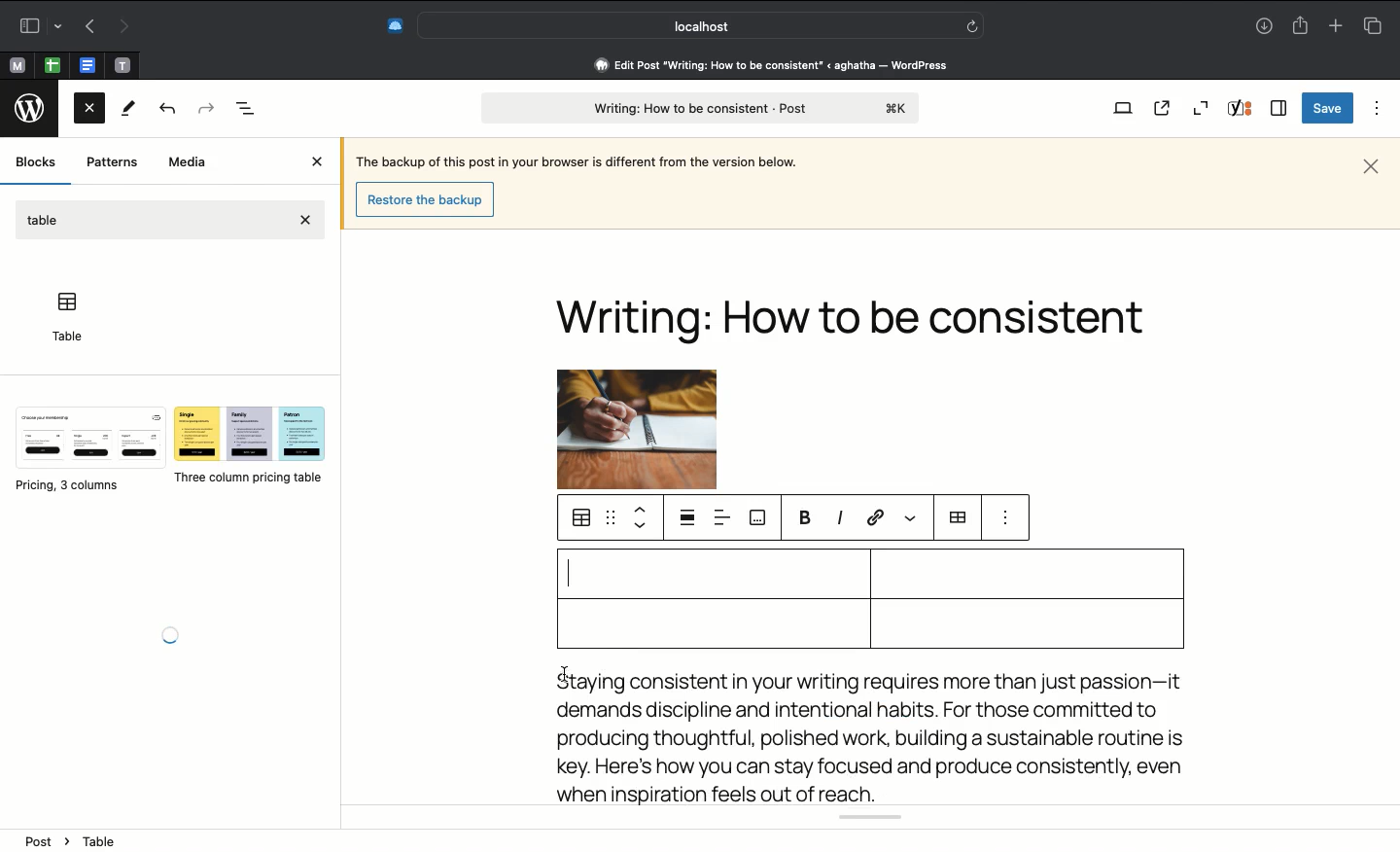 The width and height of the screenshot is (1400, 852). Describe the element at coordinates (307, 218) in the screenshot. I see `close` at that location.